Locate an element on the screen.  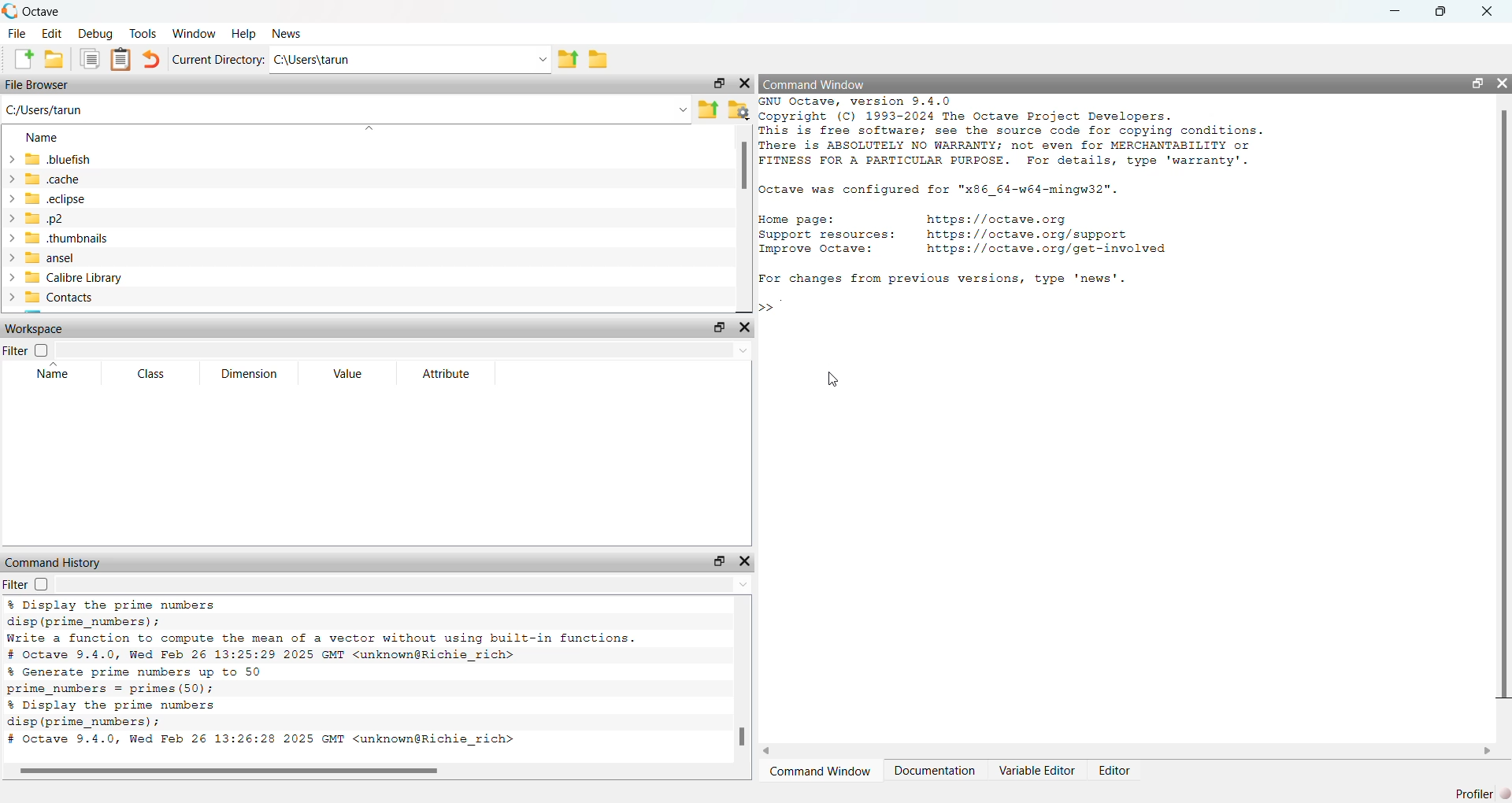
close is located at coordinates (745, 83).